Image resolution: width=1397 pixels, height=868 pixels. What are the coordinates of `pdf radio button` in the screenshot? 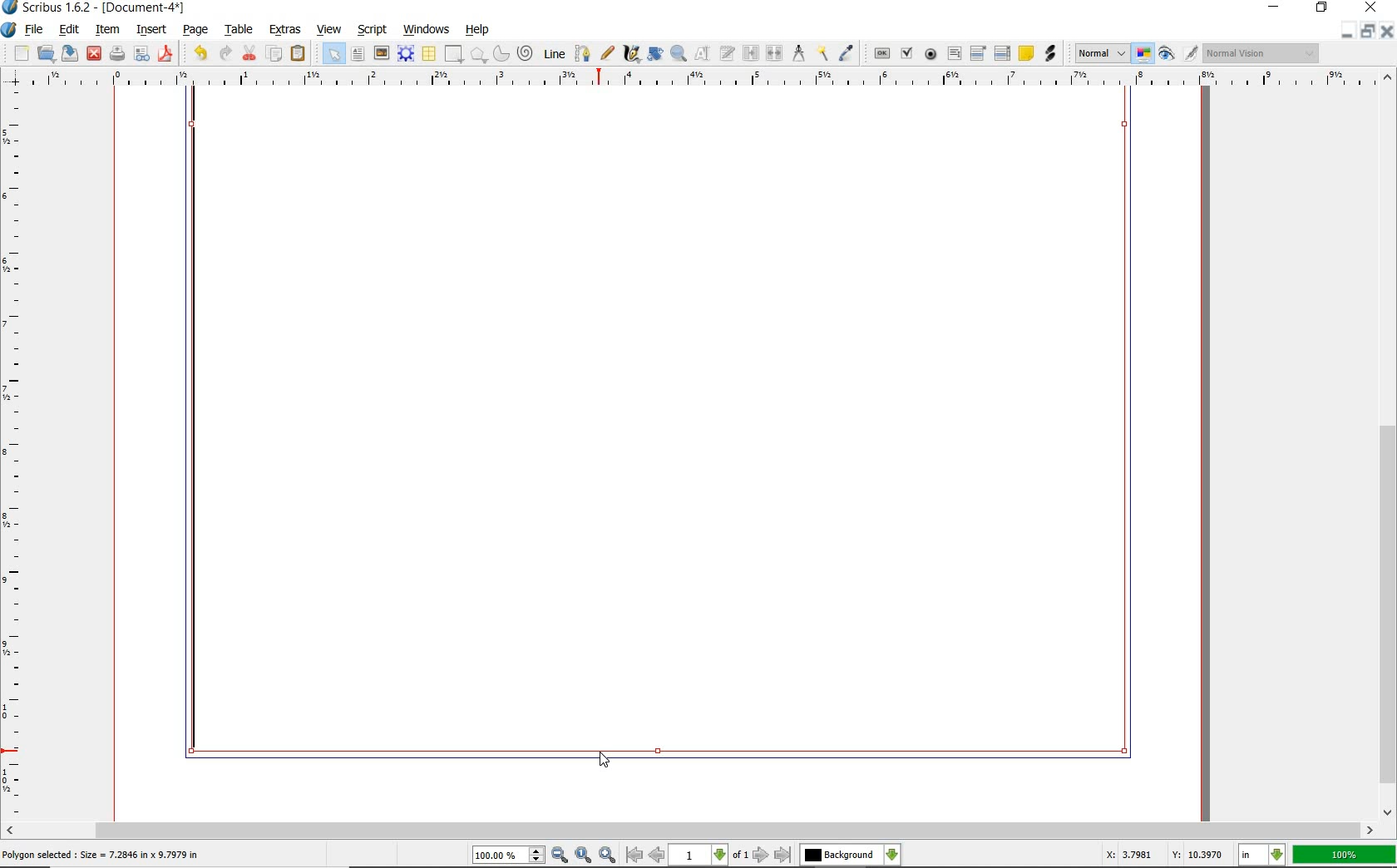 It's located at (929, 55).